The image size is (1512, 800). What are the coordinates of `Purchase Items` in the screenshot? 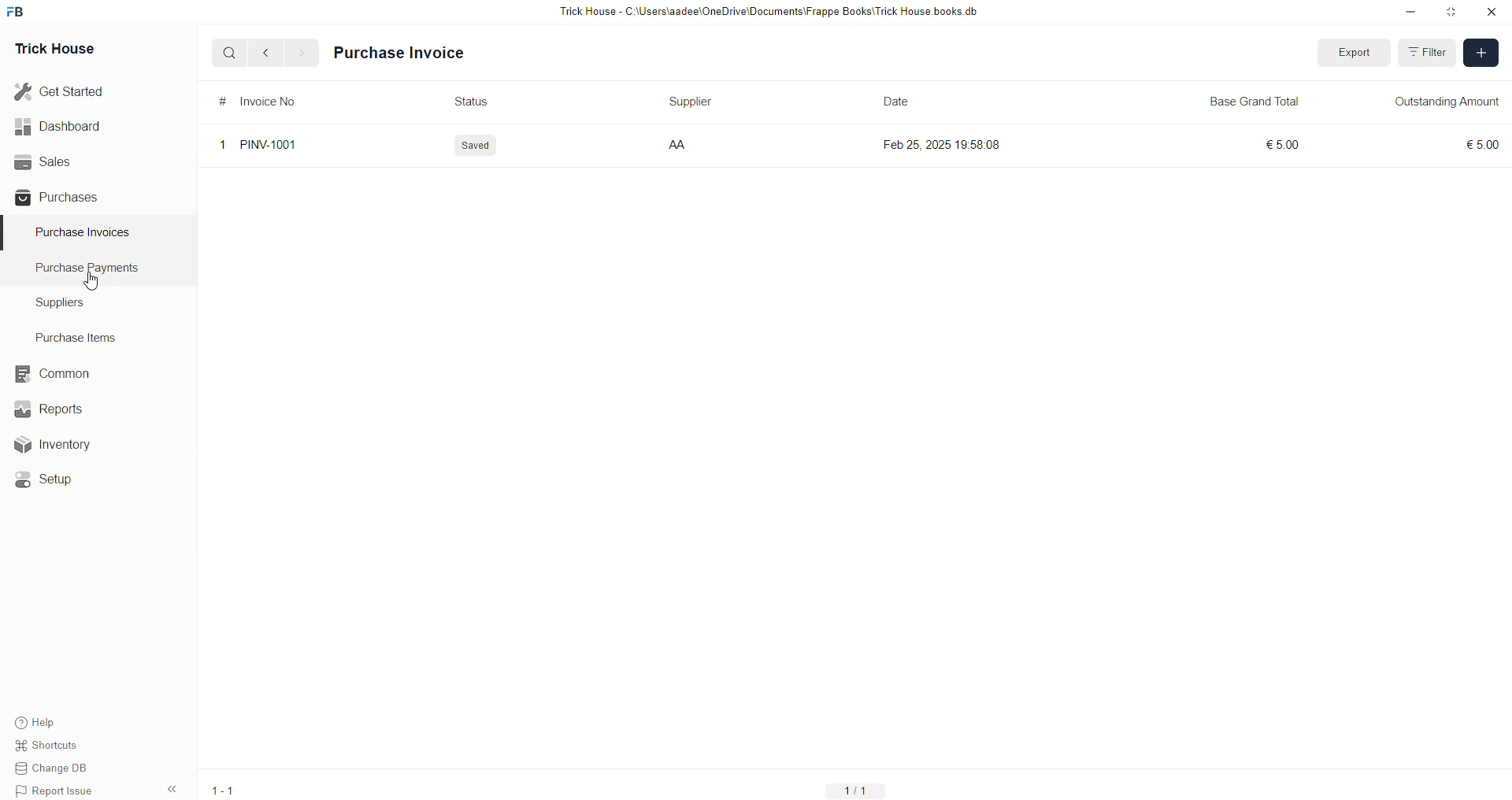 It's located at (80, 335).